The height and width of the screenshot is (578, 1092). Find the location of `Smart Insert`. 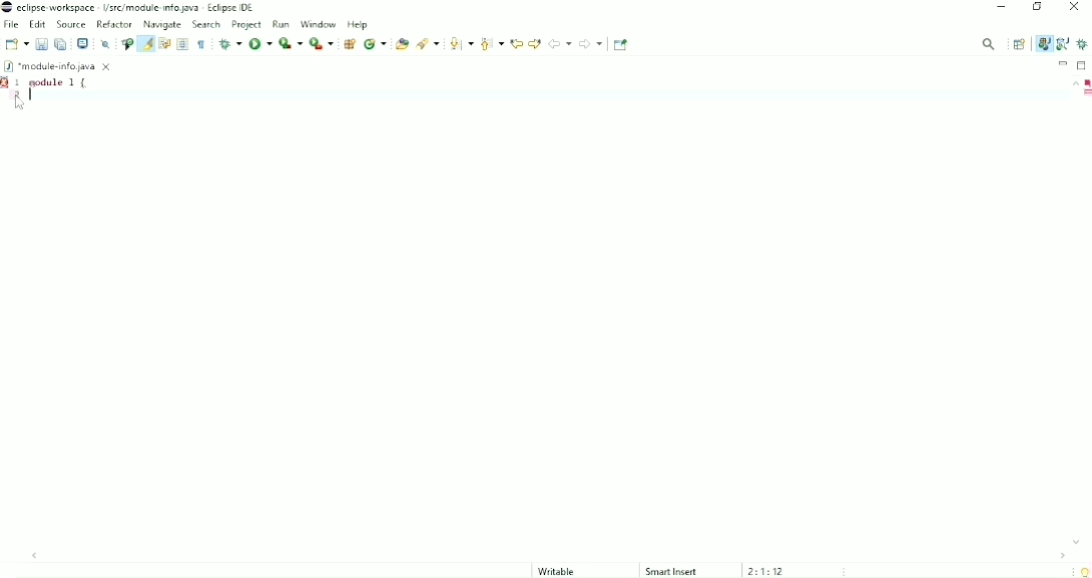

Smart Insert is located at coordinates (672, 571).